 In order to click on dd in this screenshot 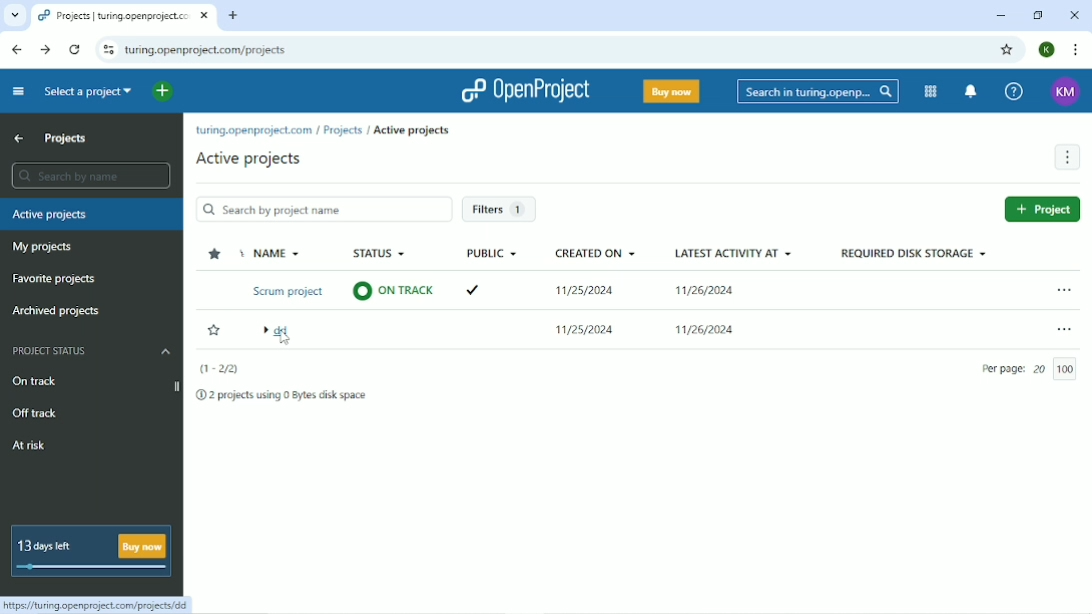, I will do `click(280, 345)`.